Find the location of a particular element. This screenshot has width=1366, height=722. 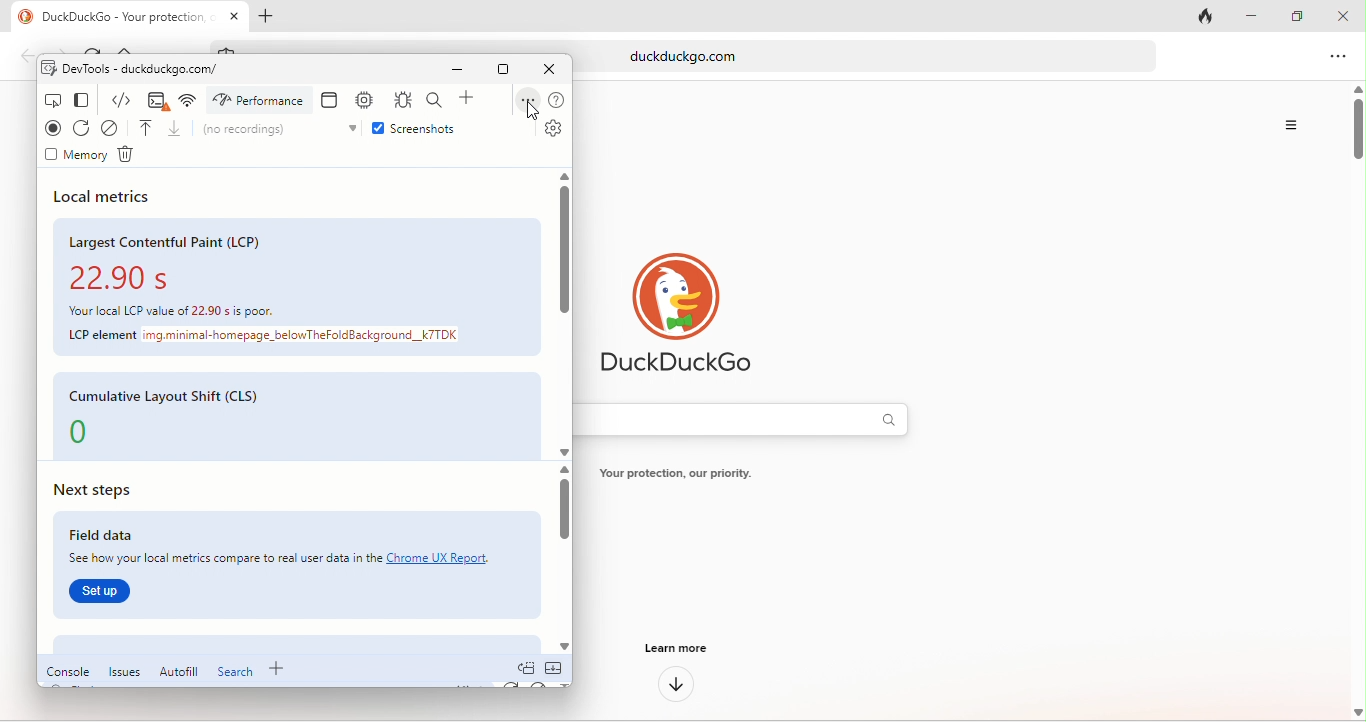

DuckDuckGo - Your protection is located at coordinates (127, 14).